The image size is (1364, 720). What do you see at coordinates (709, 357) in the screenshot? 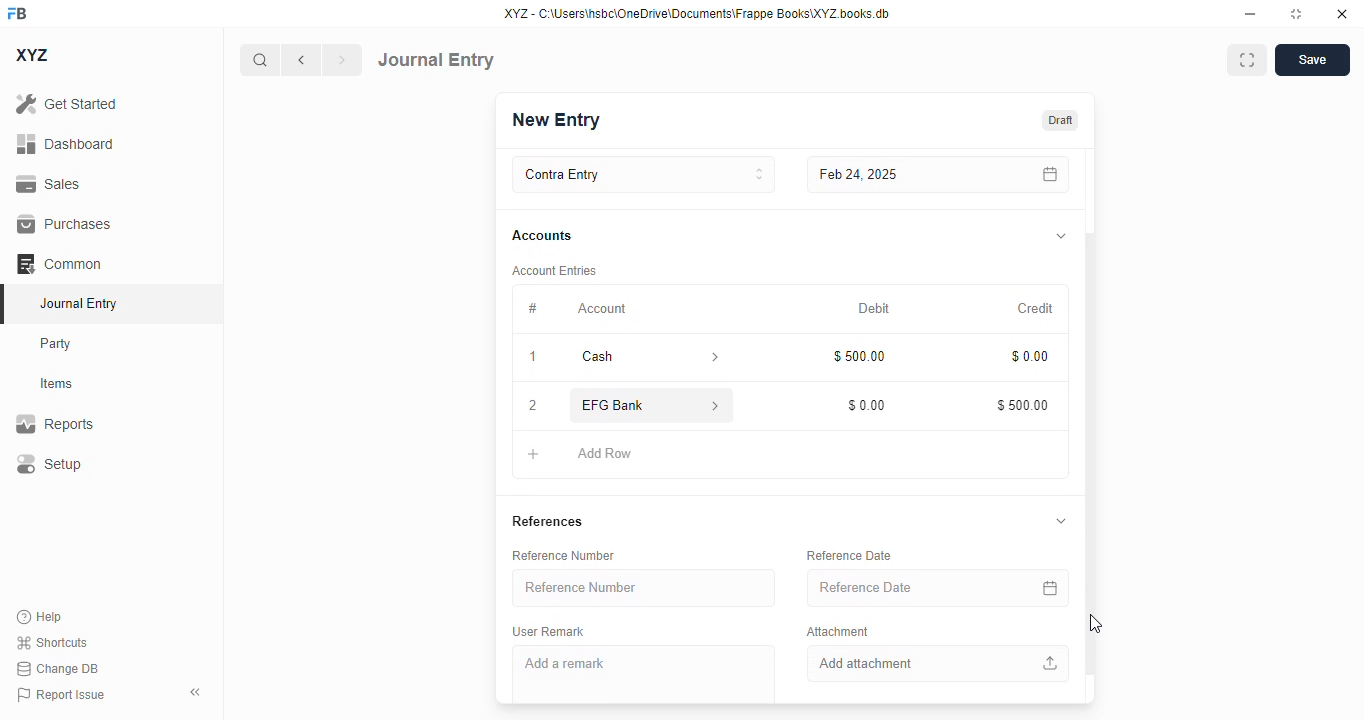
I see `account information` at bounding box center [709, 357].